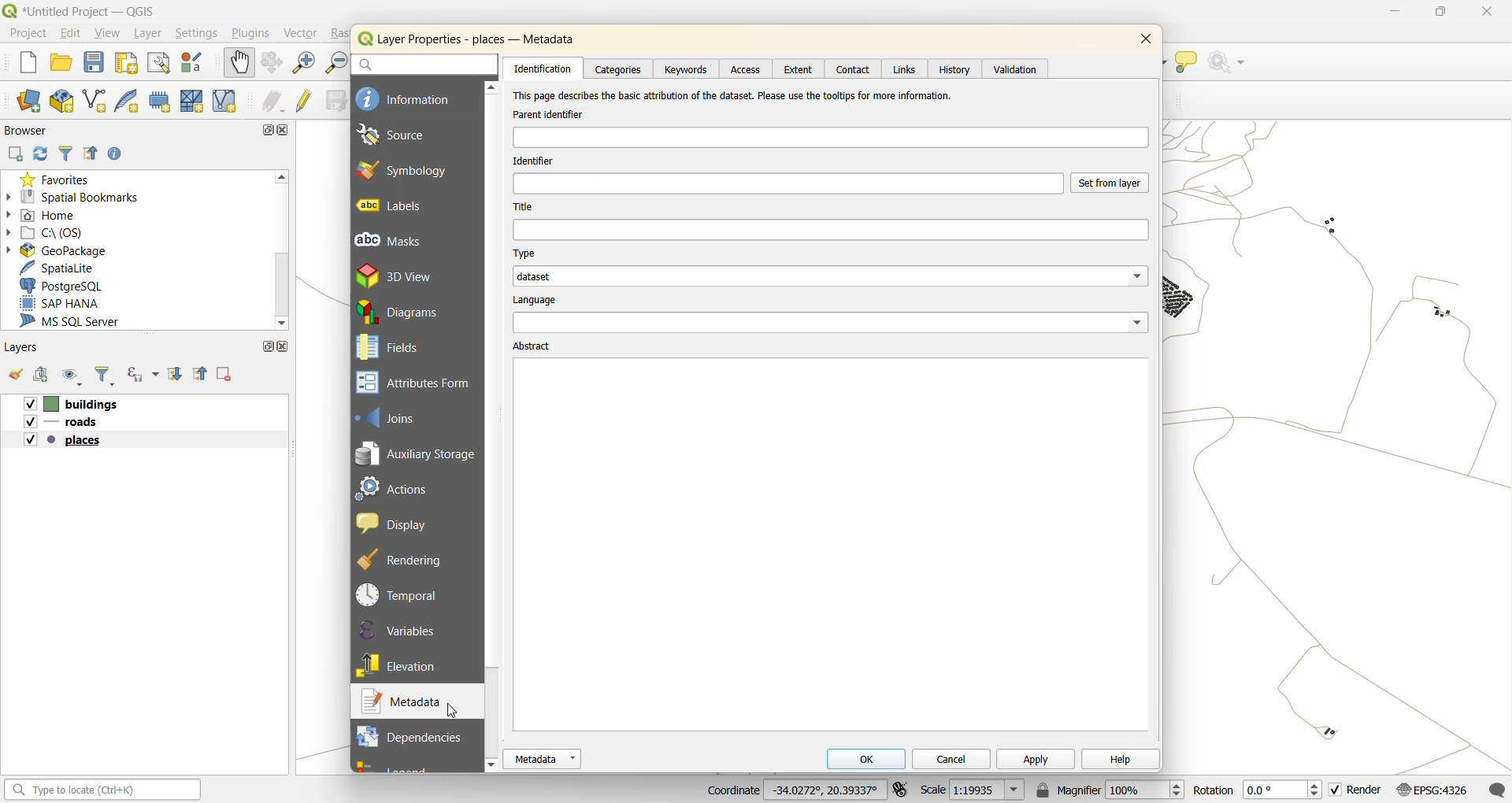 The width and height of the screenshot is (1512, 803). I want to click on enable properties, so click(119, 154).